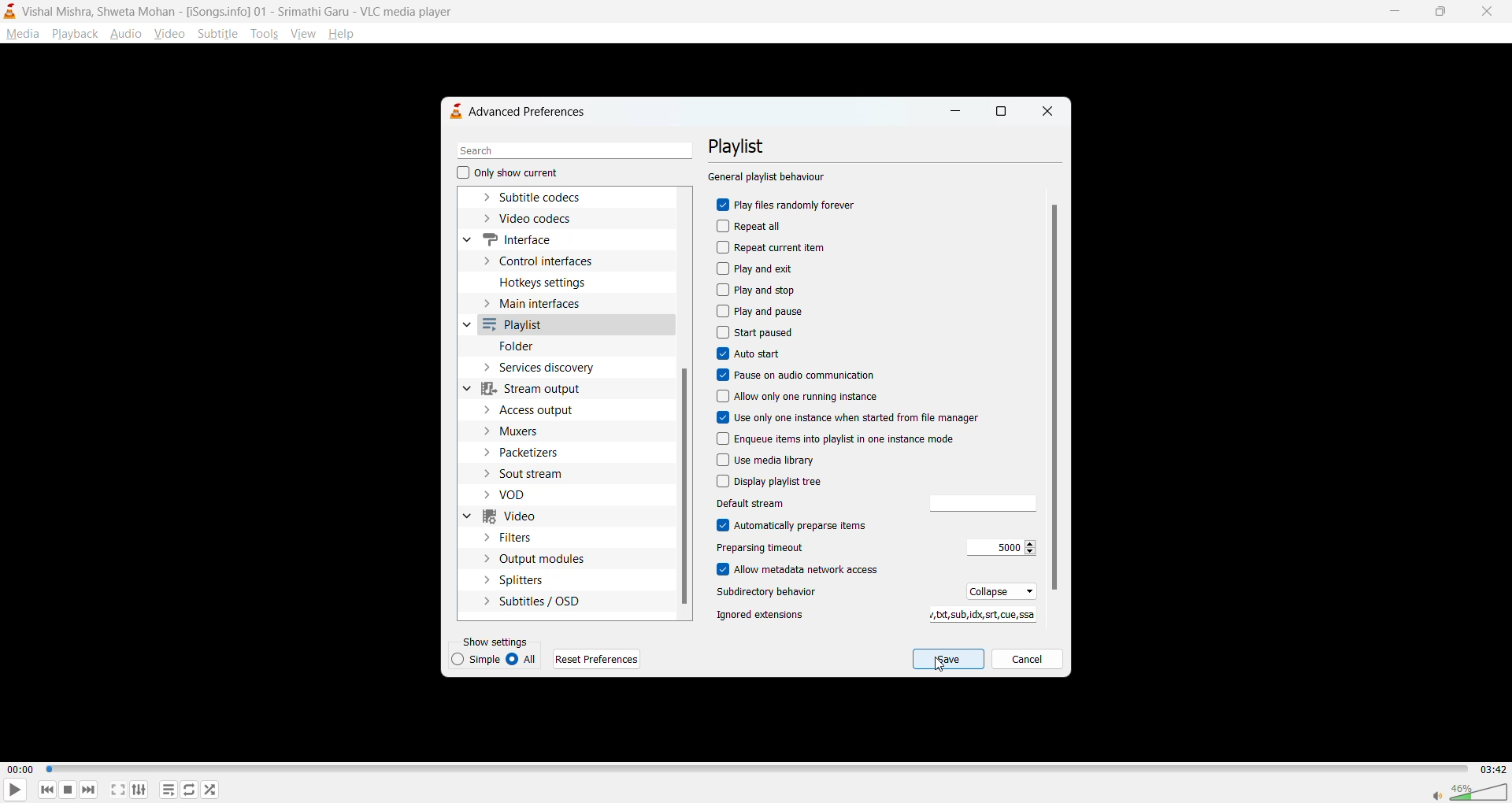 This screenshot has width=1512, height=803. I want to click on playlist, so click(171, 790).